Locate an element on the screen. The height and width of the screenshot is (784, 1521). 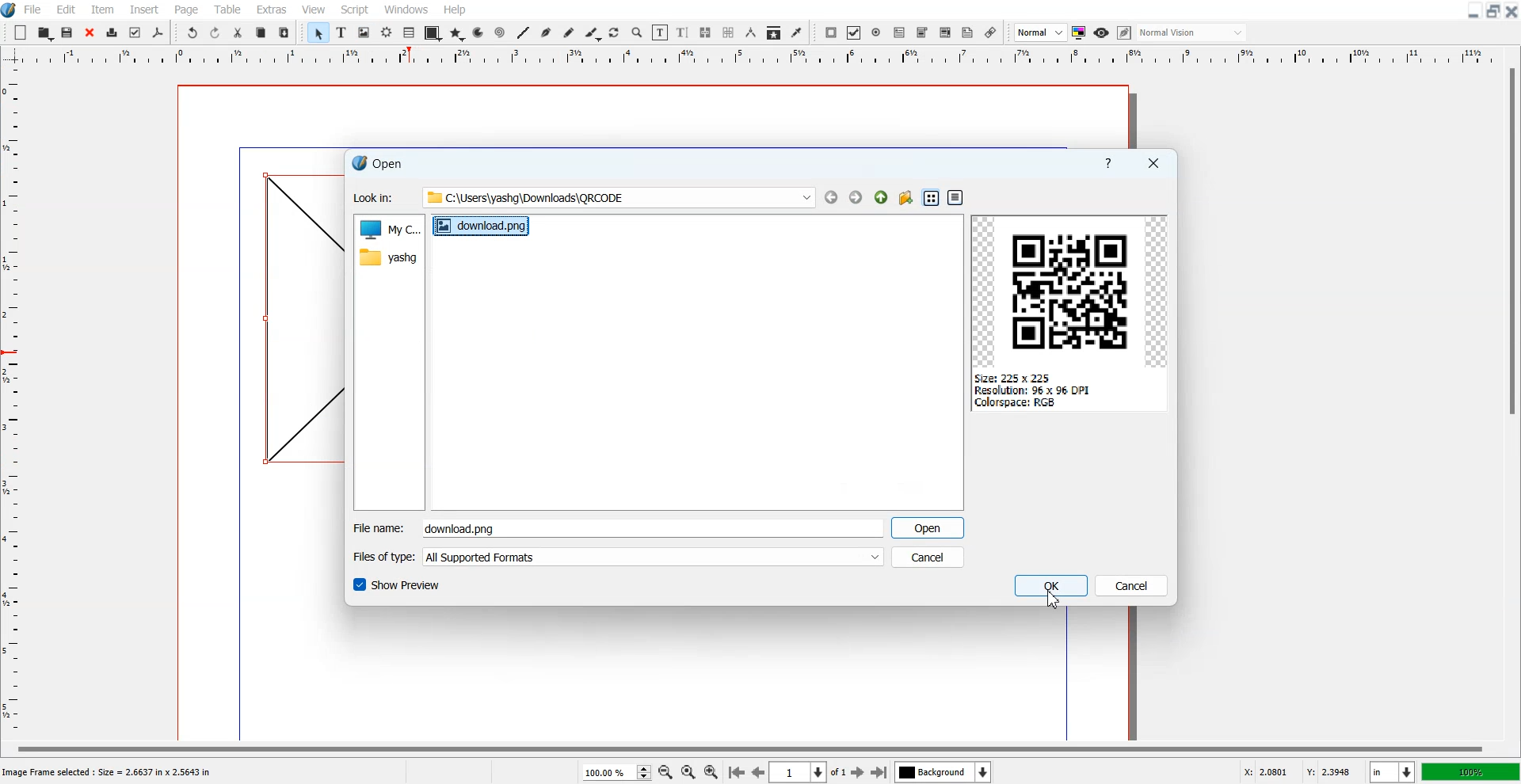
Select Image Preview Quality is located at coordinates (1040, 32).